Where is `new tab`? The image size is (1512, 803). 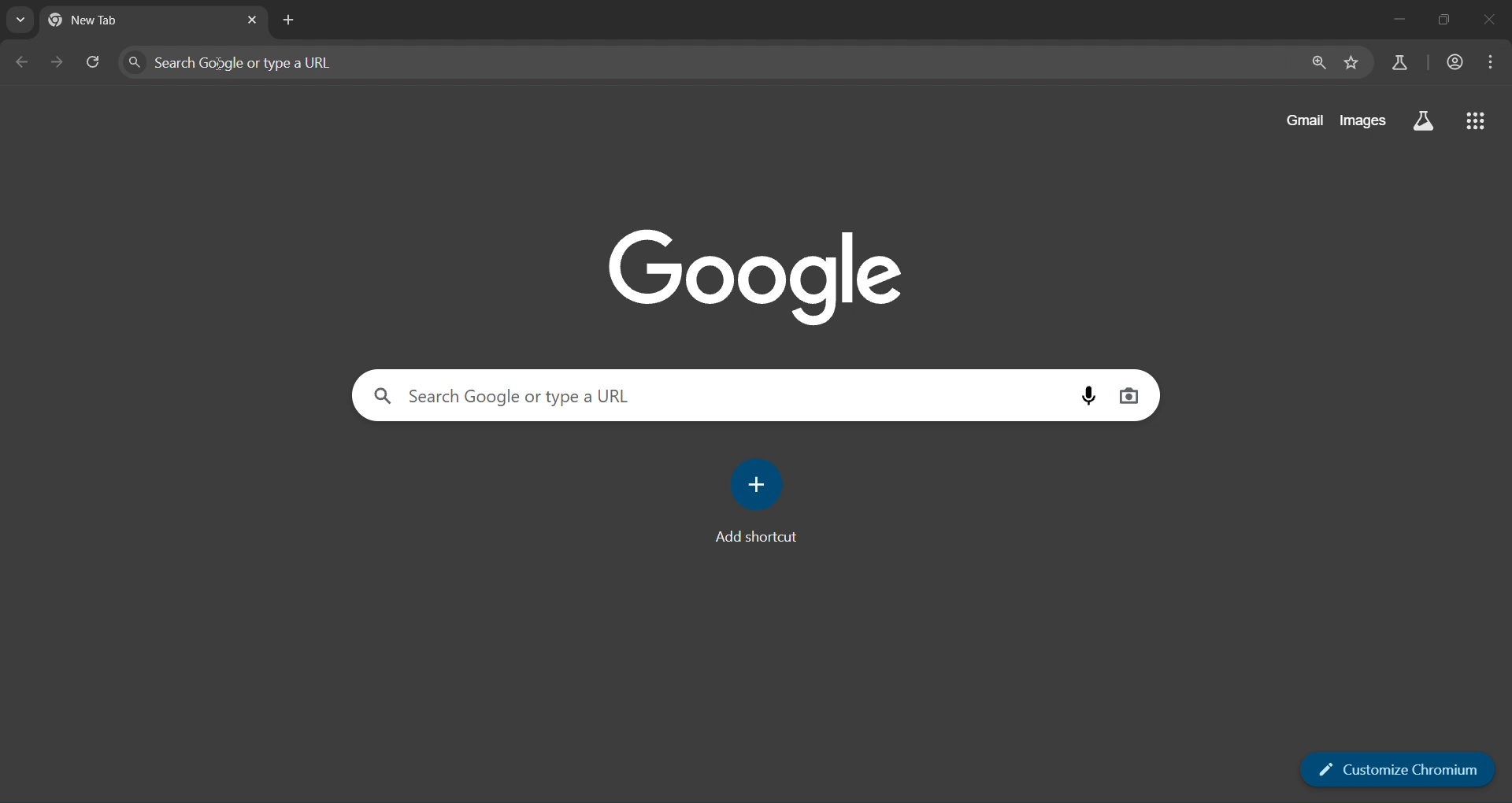 new tab is located at coordinates (291, 20).